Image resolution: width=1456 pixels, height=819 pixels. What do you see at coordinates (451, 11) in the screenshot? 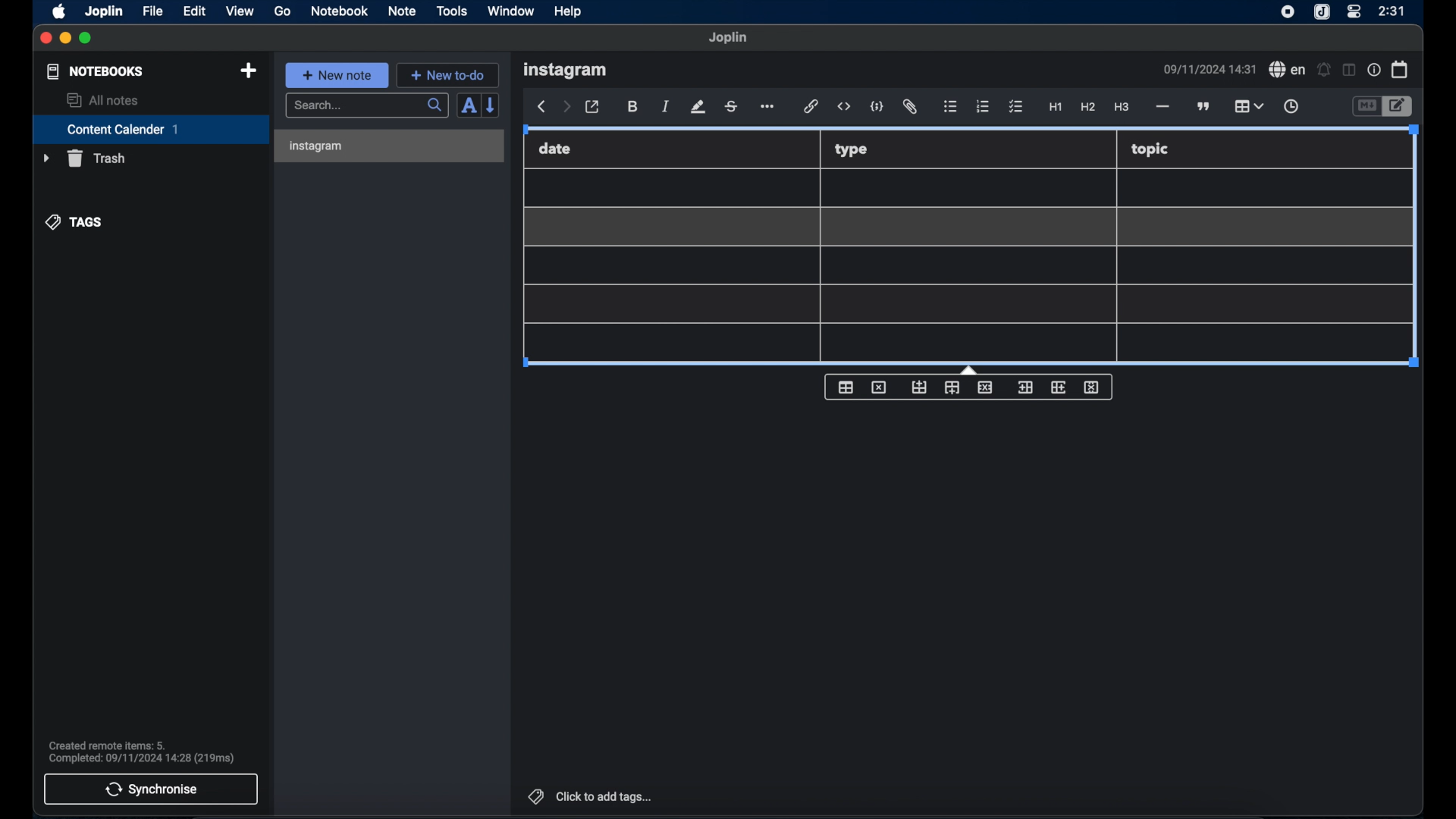
I see `tools` at bounding box center [451, 11].